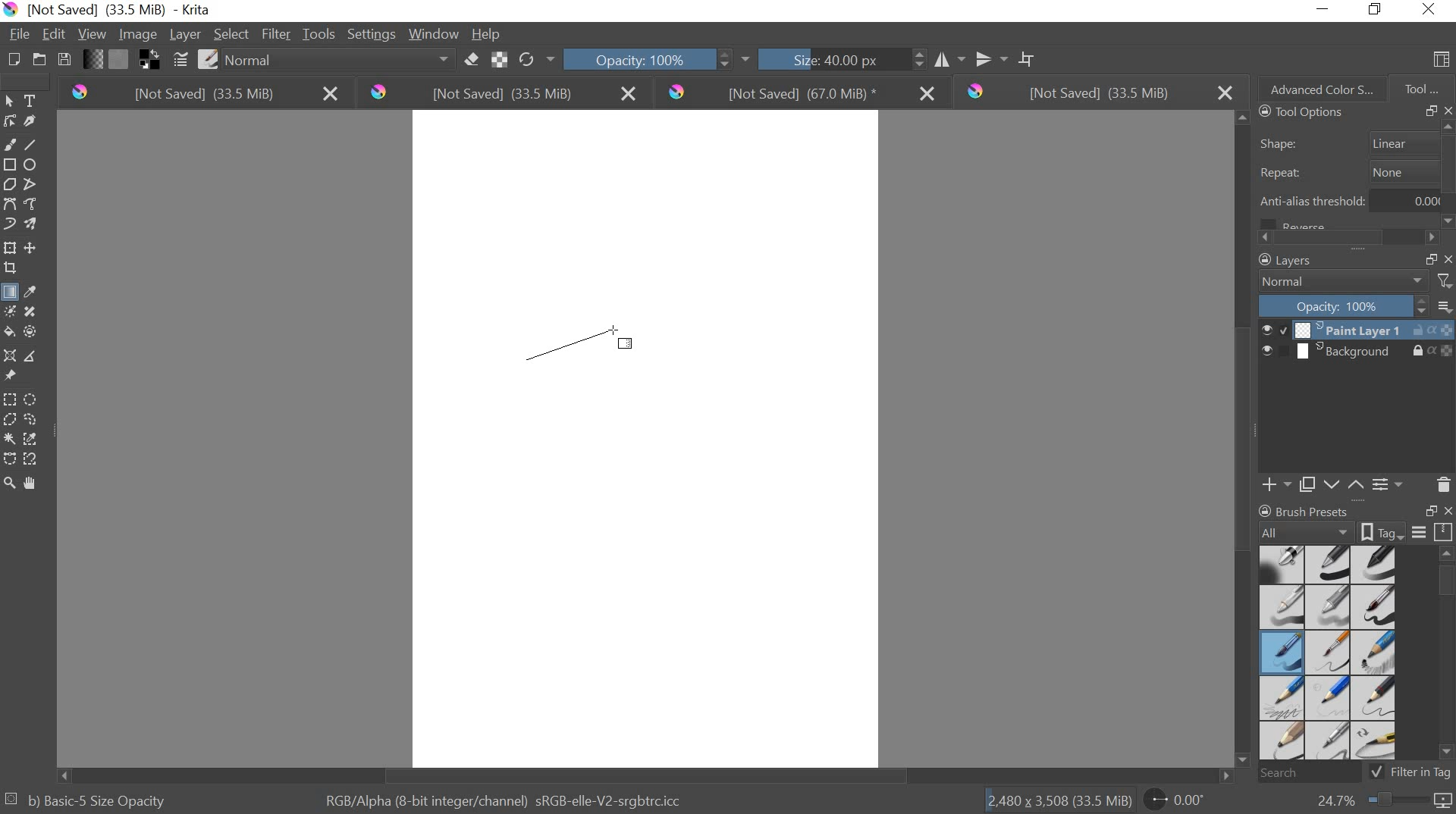 The height and width of the screenshot is (814, 1456). What do you see at coordinates (1307, 484) in the screenshot?
I see `COPY PAINT` at bounding box center [1307, 484].